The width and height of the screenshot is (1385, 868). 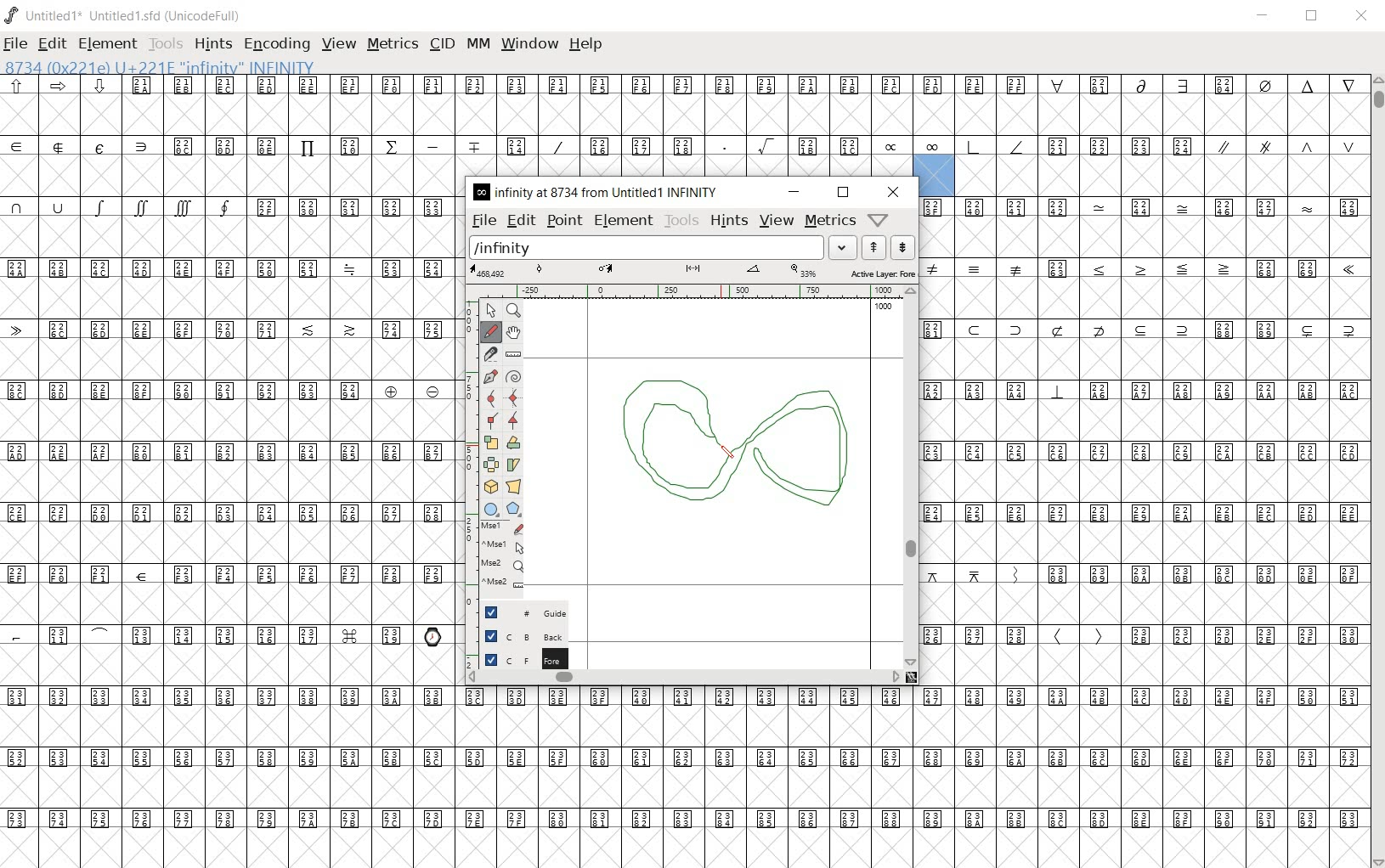 I want to click on rectangle or ellipse, so click(x=489, y=506).